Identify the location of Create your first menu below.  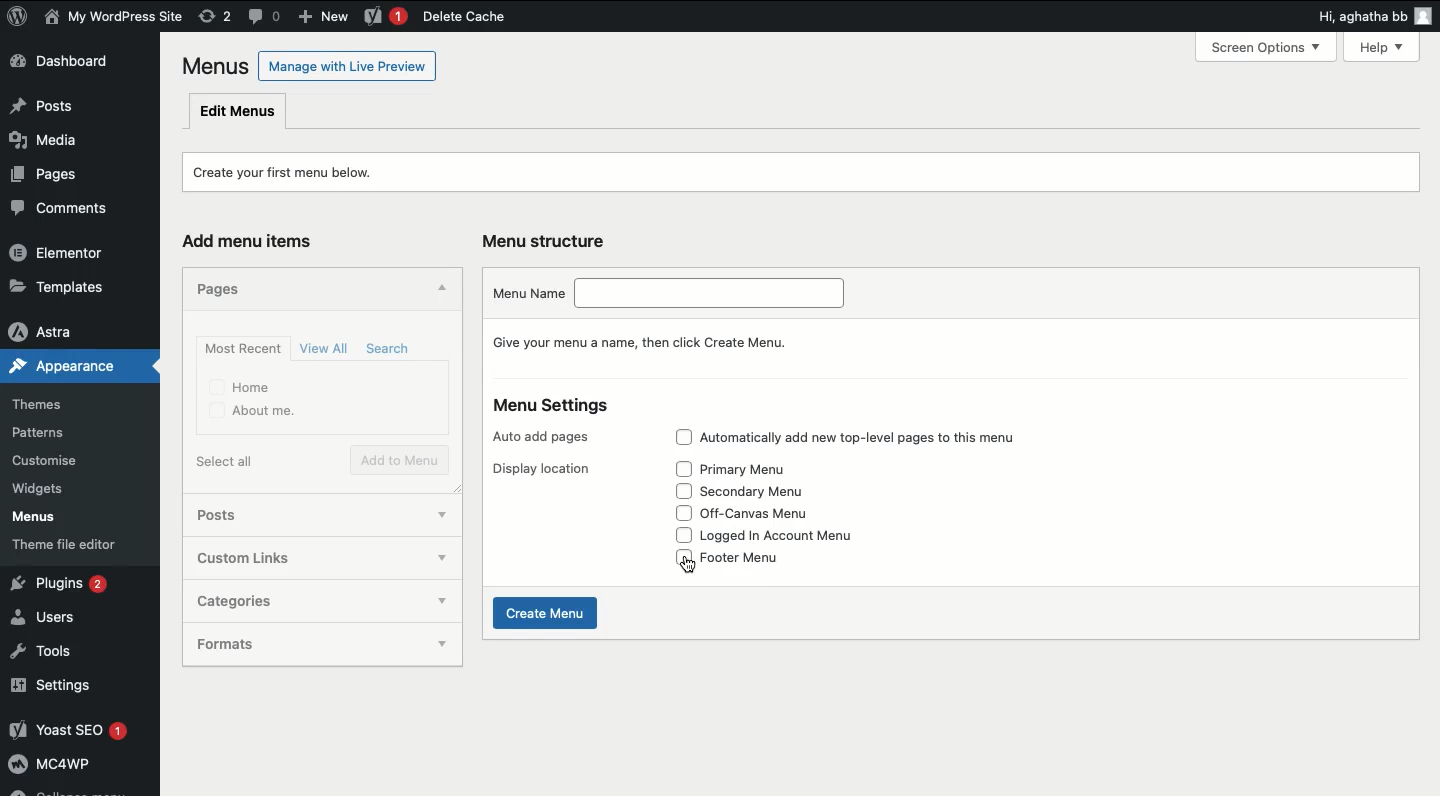
(292, 173).